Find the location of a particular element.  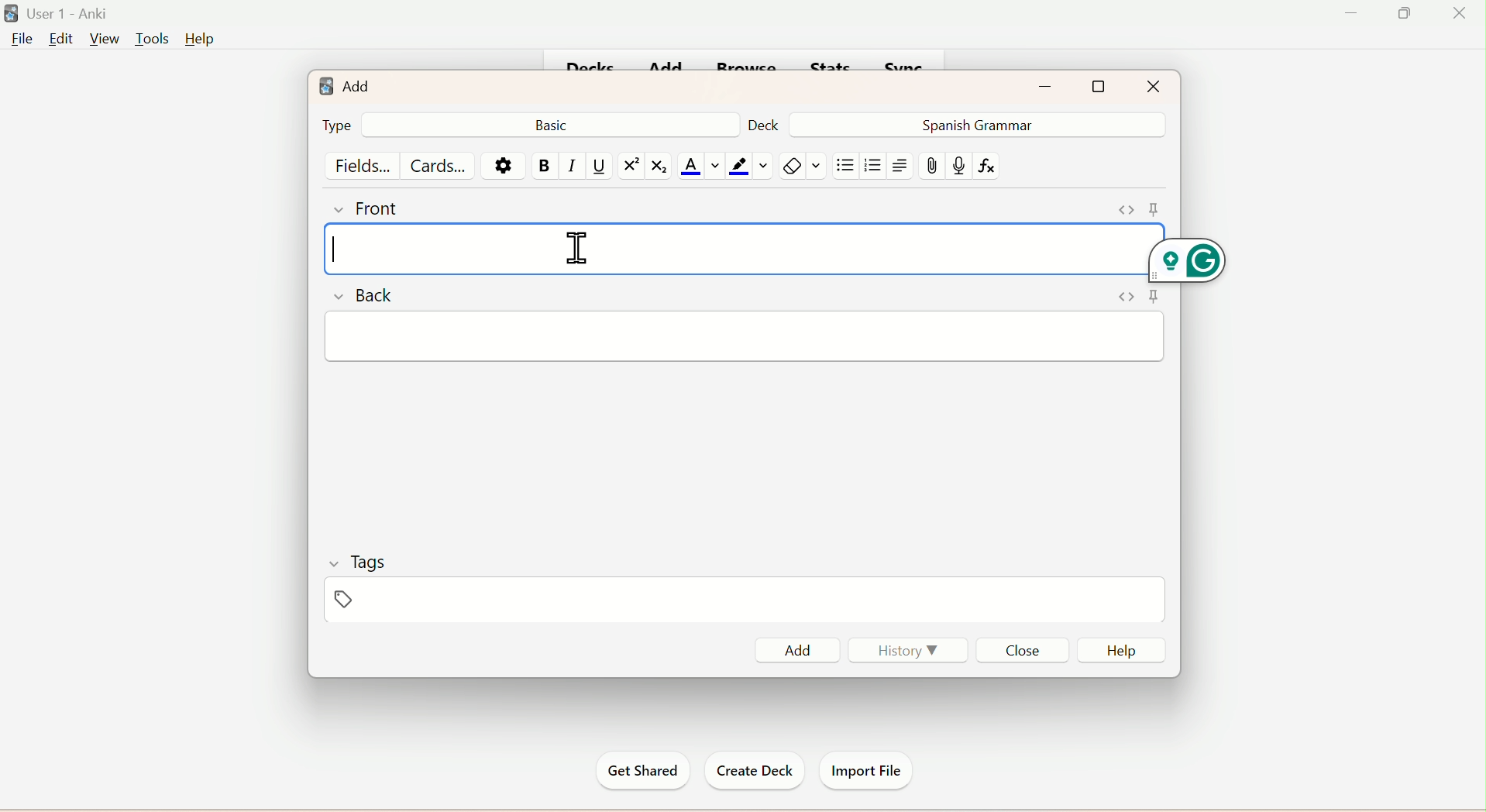

mic is located at coordinates (958, 168).